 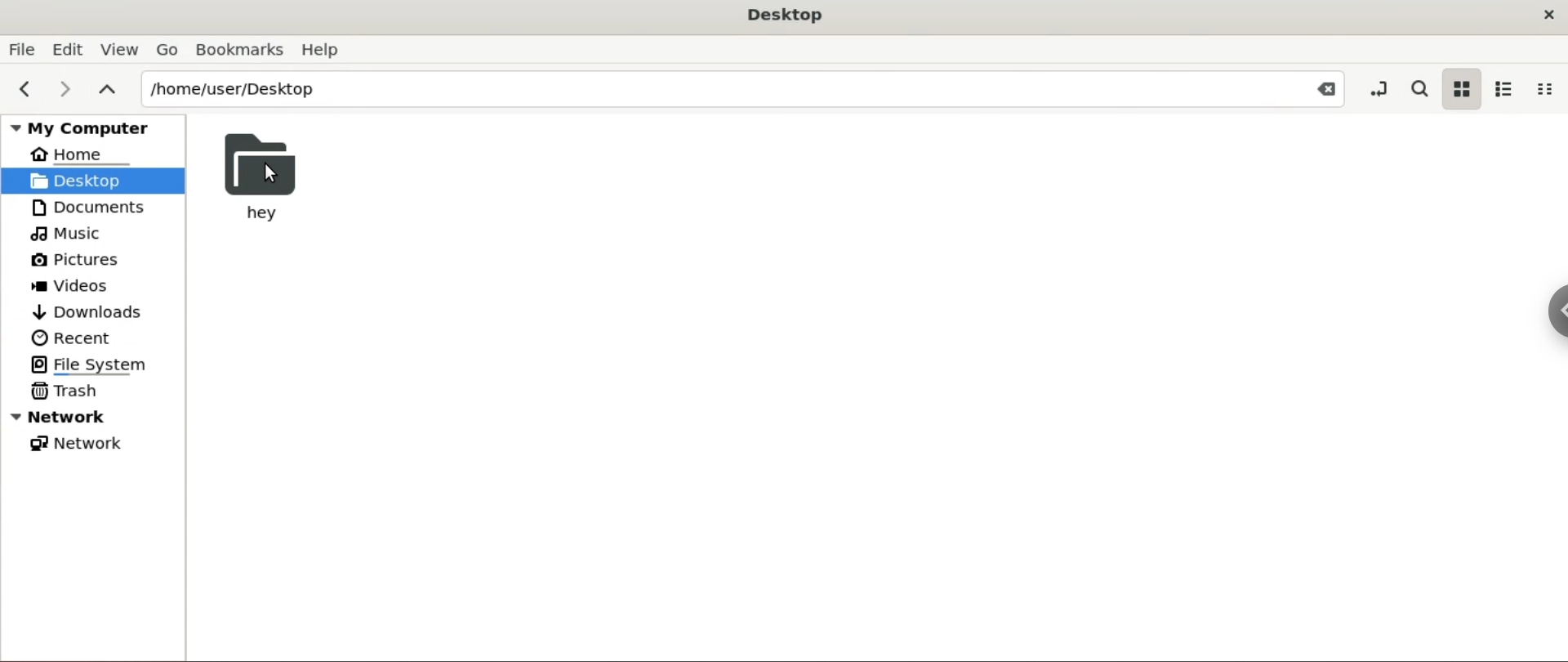 I want to click on search, so click(x=1419, y=88).